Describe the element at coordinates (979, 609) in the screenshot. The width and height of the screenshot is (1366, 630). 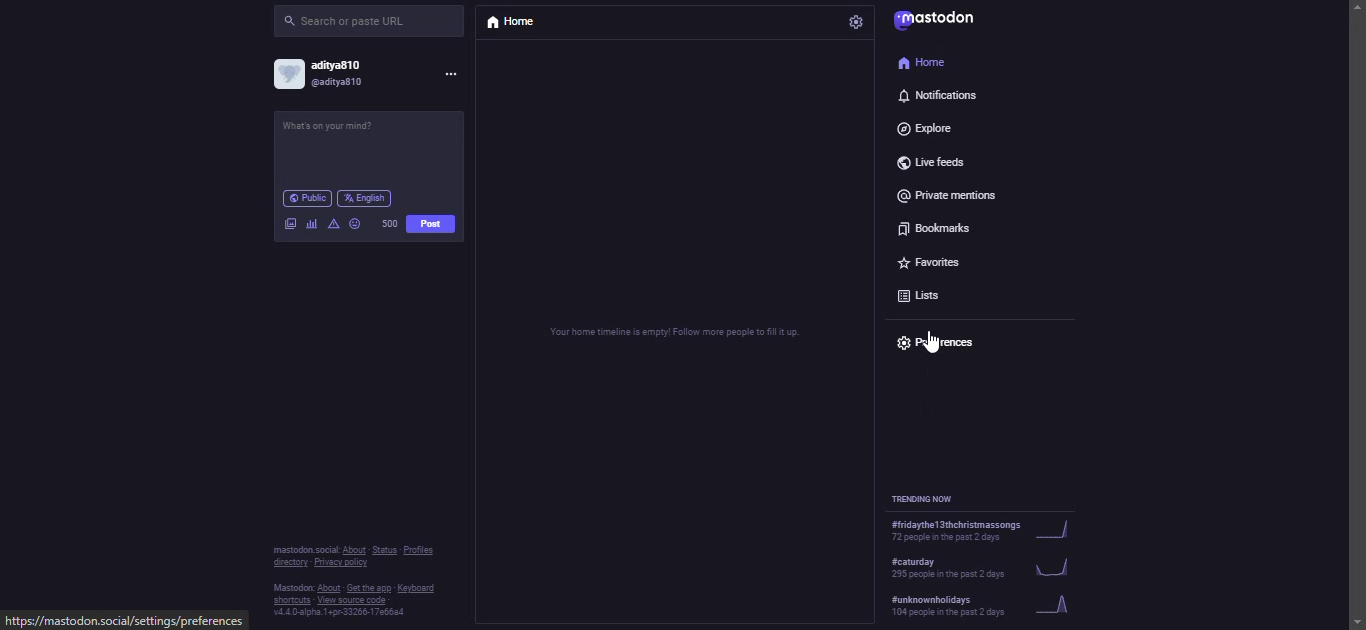
I see `trending` at that location.